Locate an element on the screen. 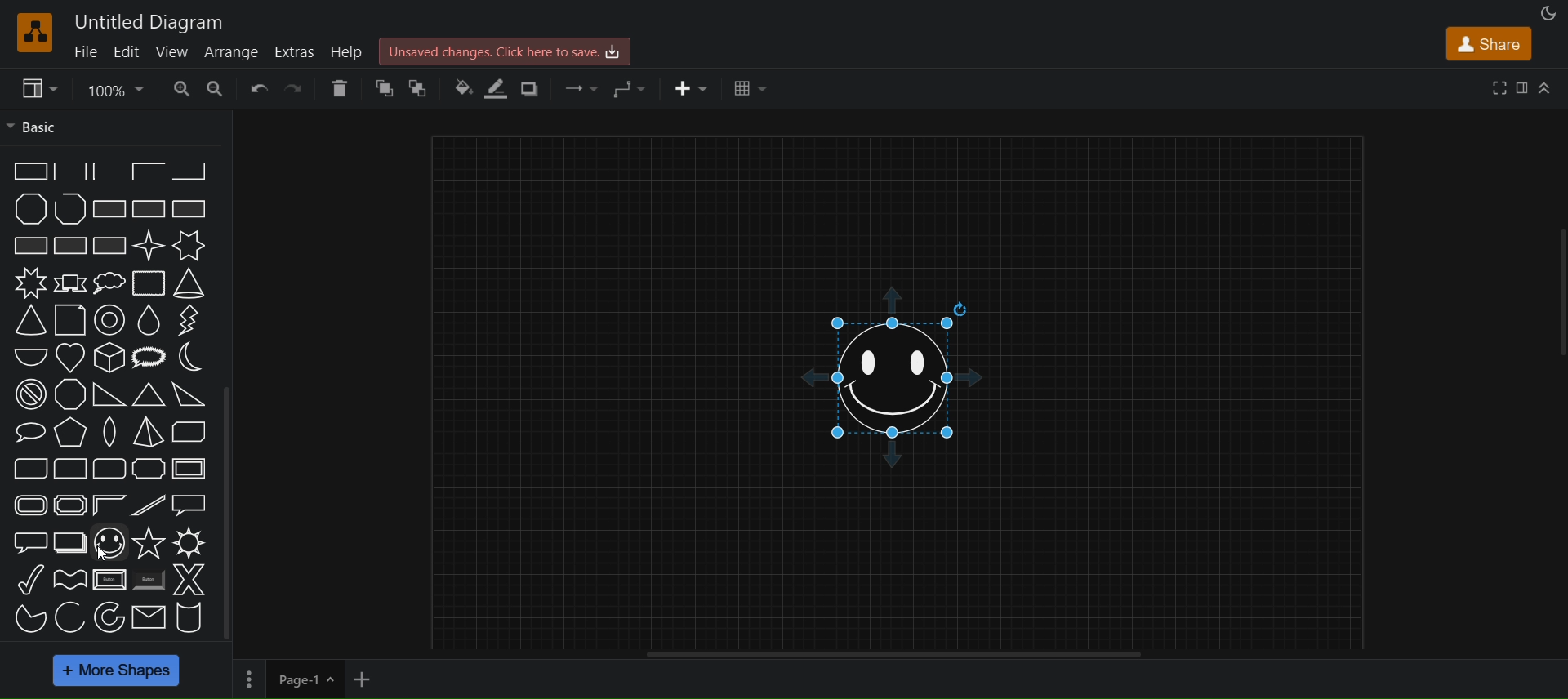 The height and width of the screenshot is (699, 1568). file is located at coordinates (86, 55).